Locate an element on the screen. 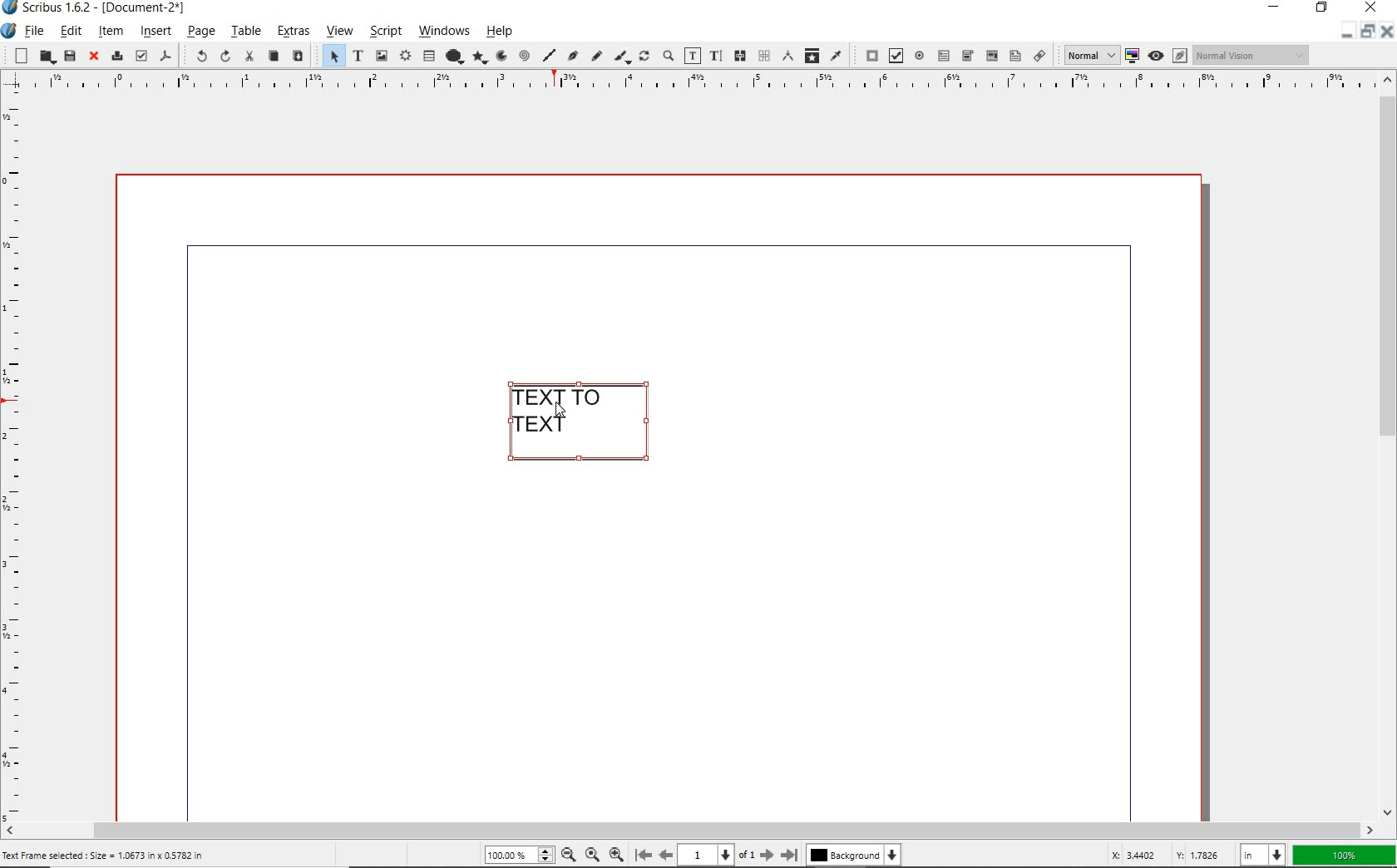 The image size is (1397, 868). scrollbar is located at coordinates (689, 831).